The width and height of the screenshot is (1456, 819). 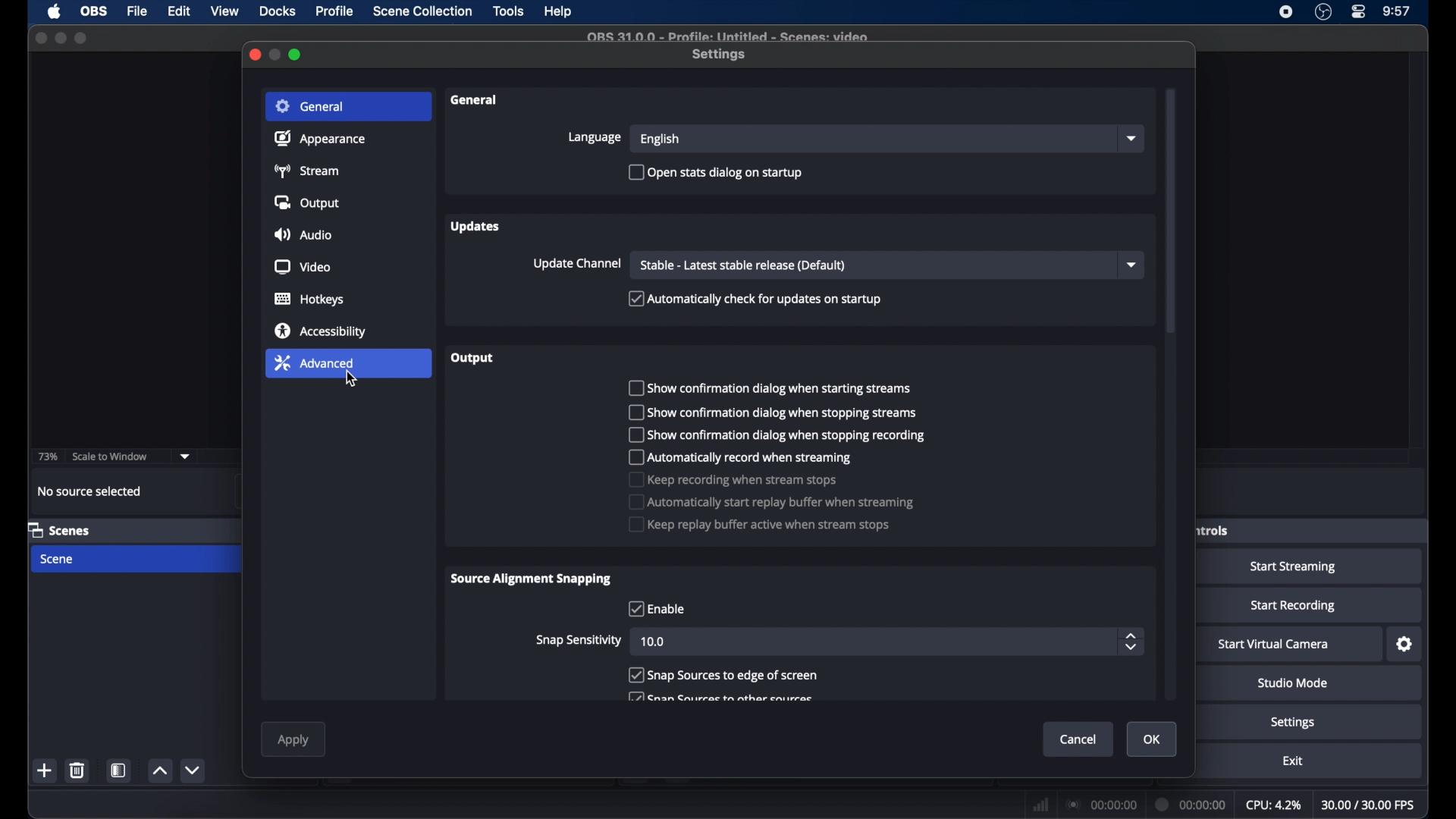 What do you see at coordinates (1101, 804) in the screenshot?
I see `connection` at bounding box center [1101, 804].